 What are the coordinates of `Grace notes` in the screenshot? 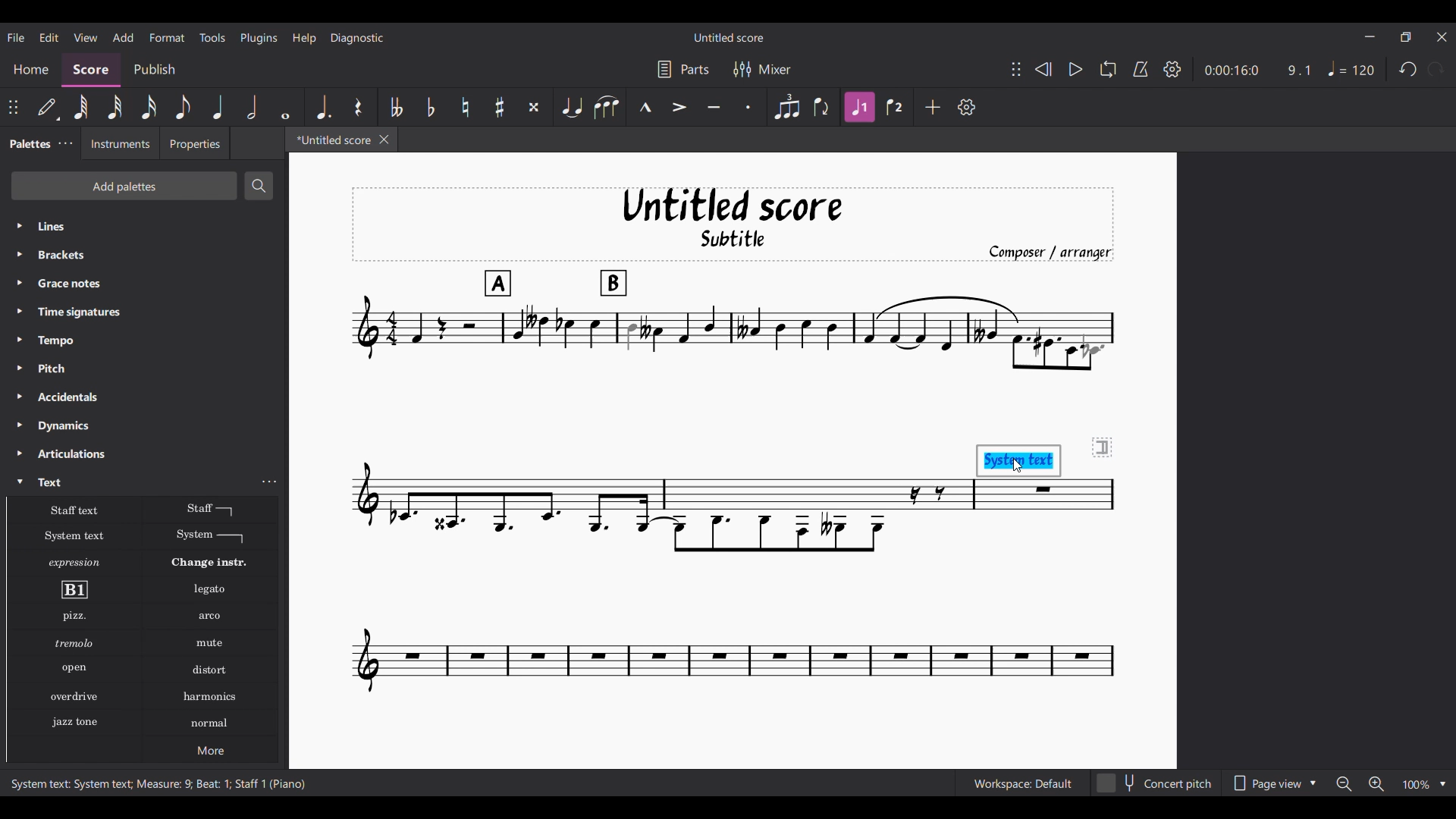 It's located at (144, 283).